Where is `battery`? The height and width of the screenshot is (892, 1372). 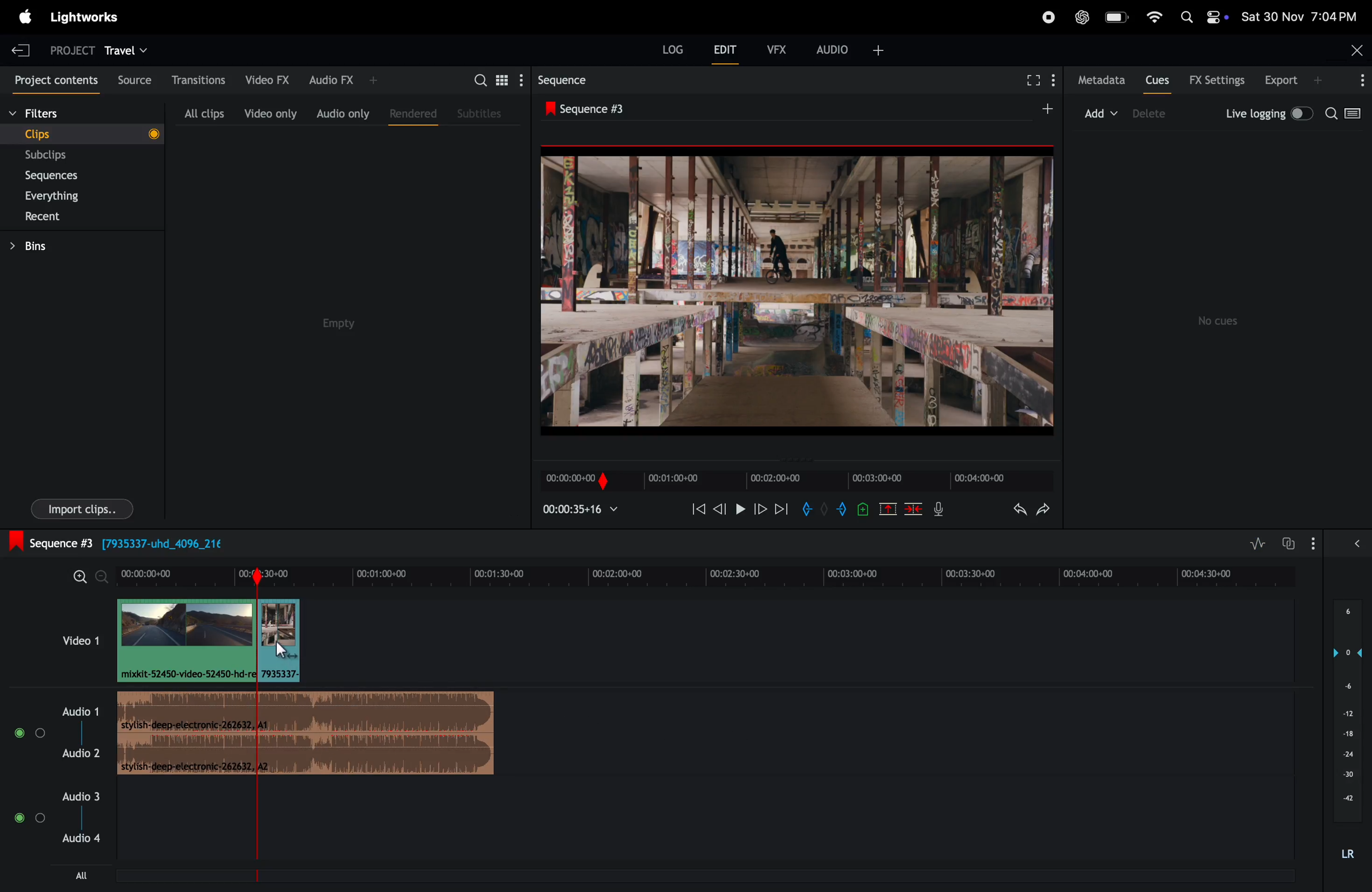
battery is located at coordinates (1117, 18).